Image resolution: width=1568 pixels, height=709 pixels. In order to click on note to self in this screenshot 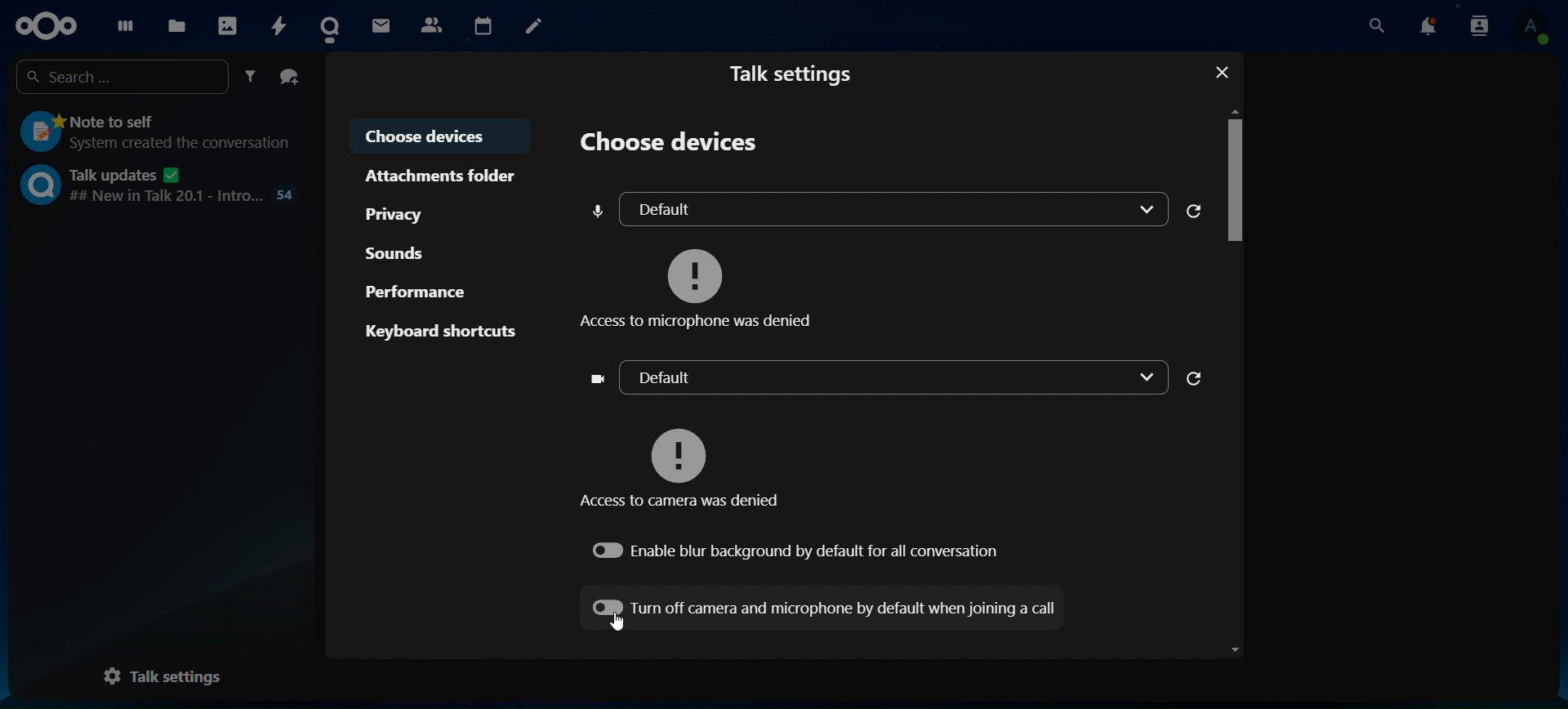, I will do `click(153, 128)`.